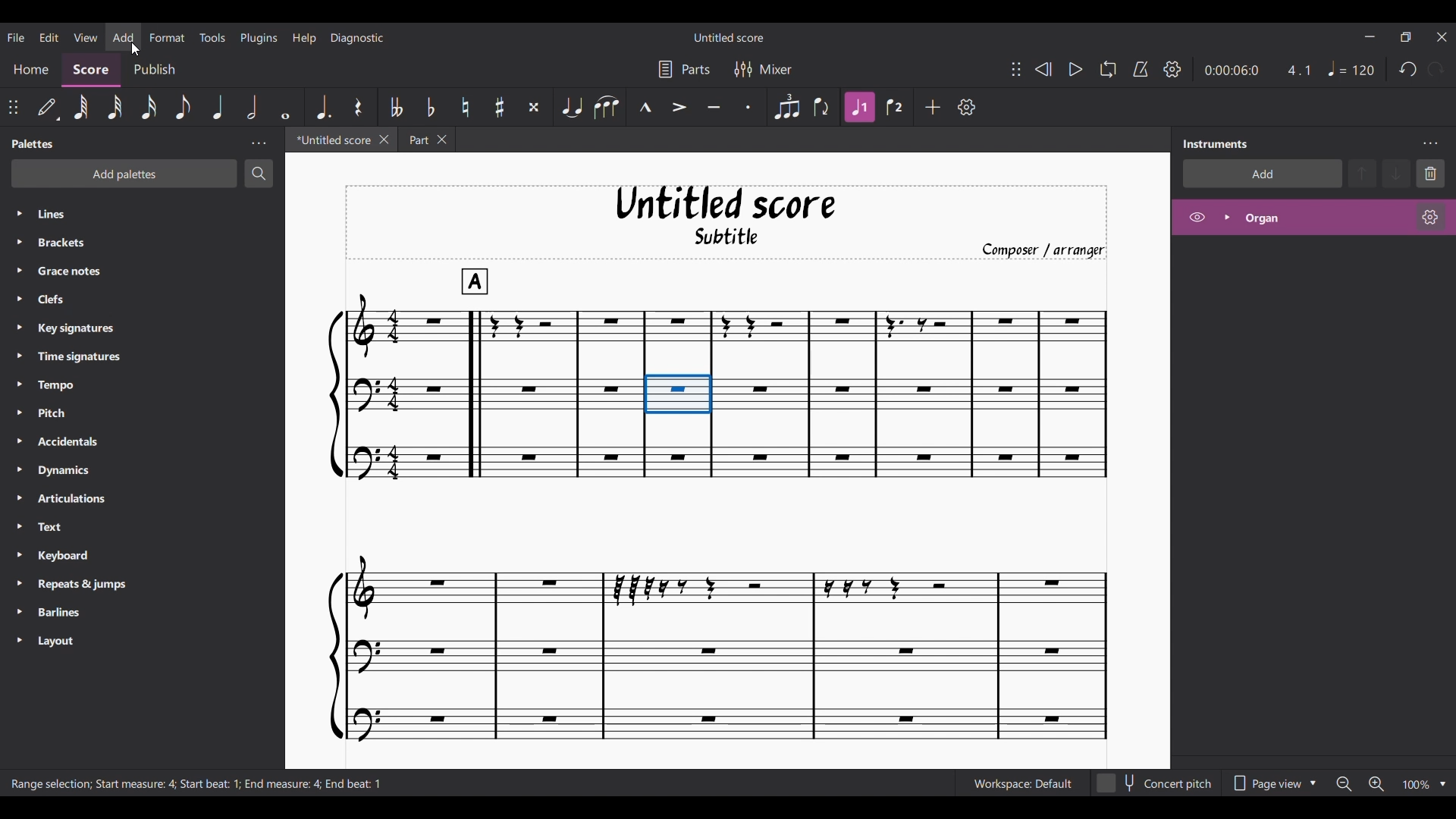  Describe the element at coordinates (678, 394) in the screenshot. I see `Current selection` at that location.